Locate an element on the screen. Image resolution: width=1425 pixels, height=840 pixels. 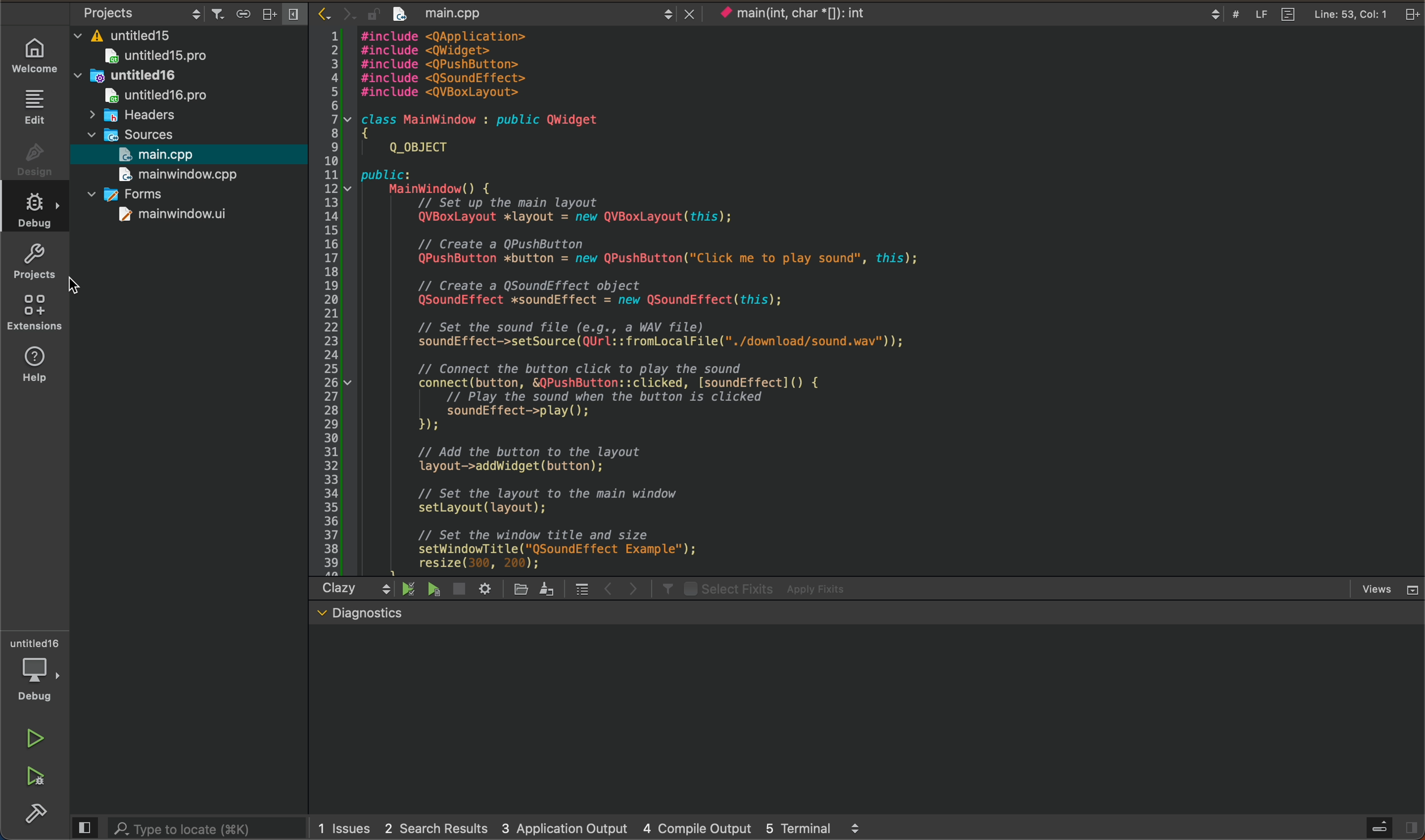
 is located at coordinates (154, 55).